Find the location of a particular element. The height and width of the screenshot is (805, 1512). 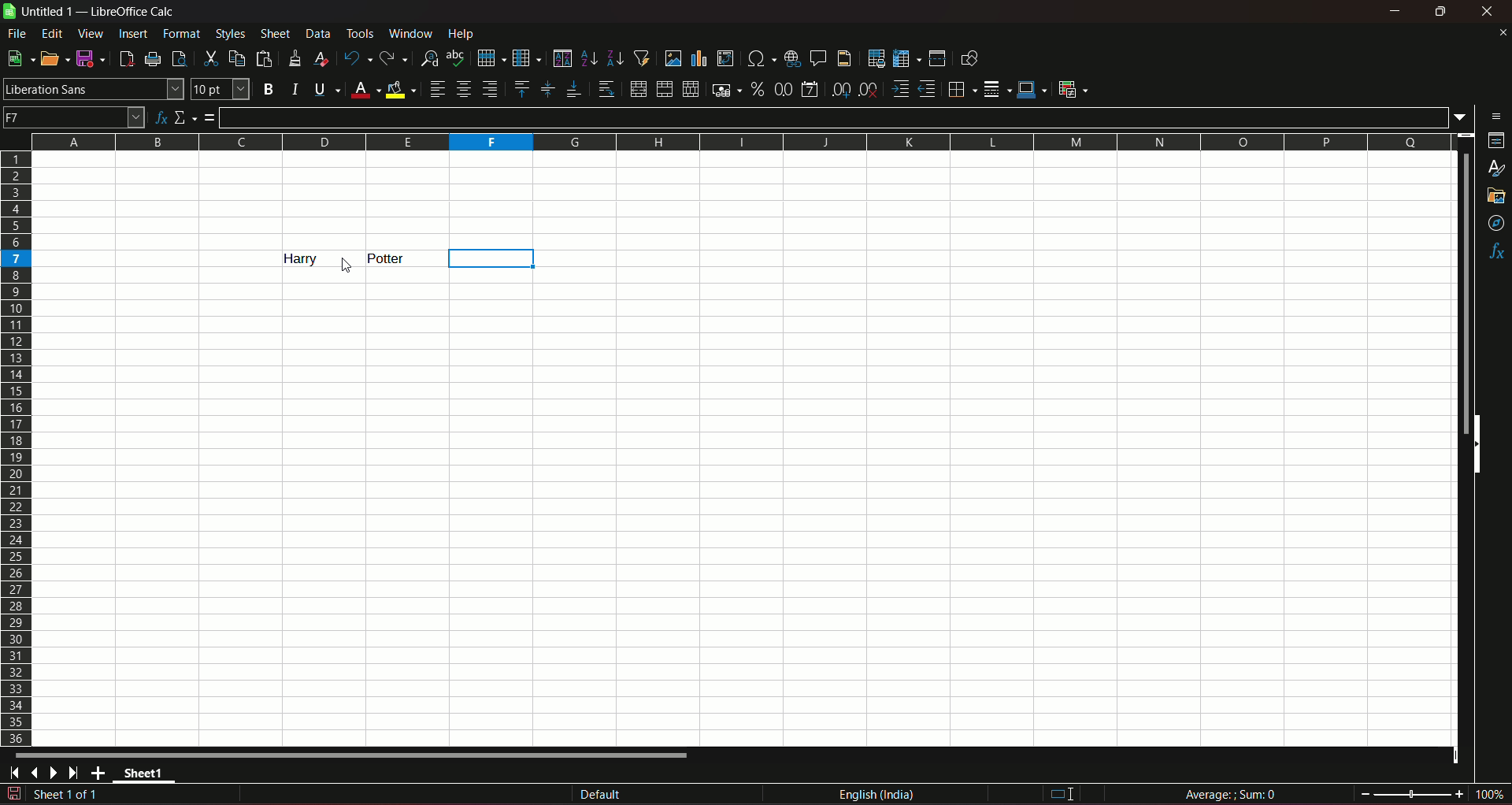

auto filter is located at coordinates (642, 57).